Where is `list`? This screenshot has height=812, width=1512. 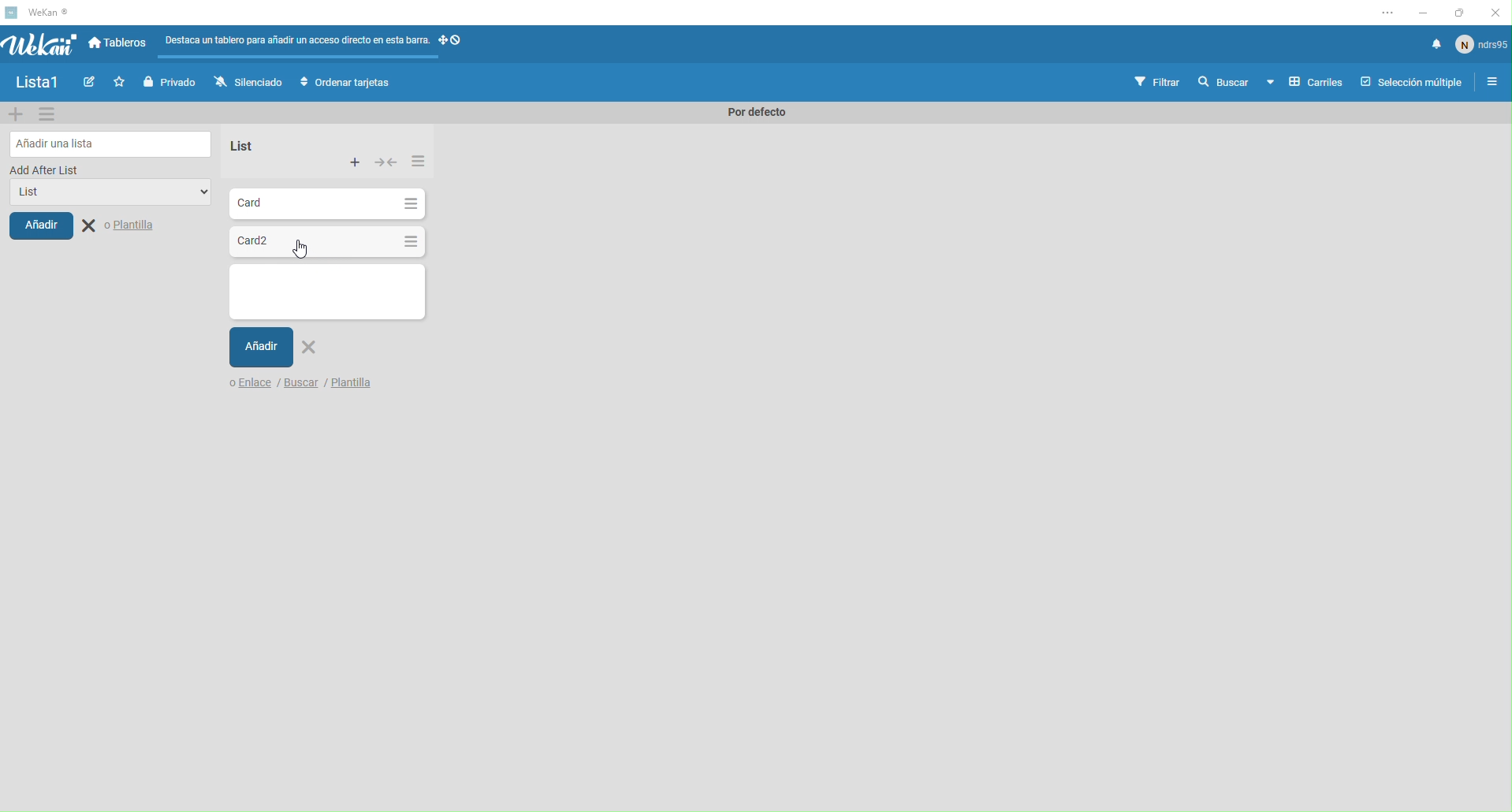 list is located at coordinates (265, 143).